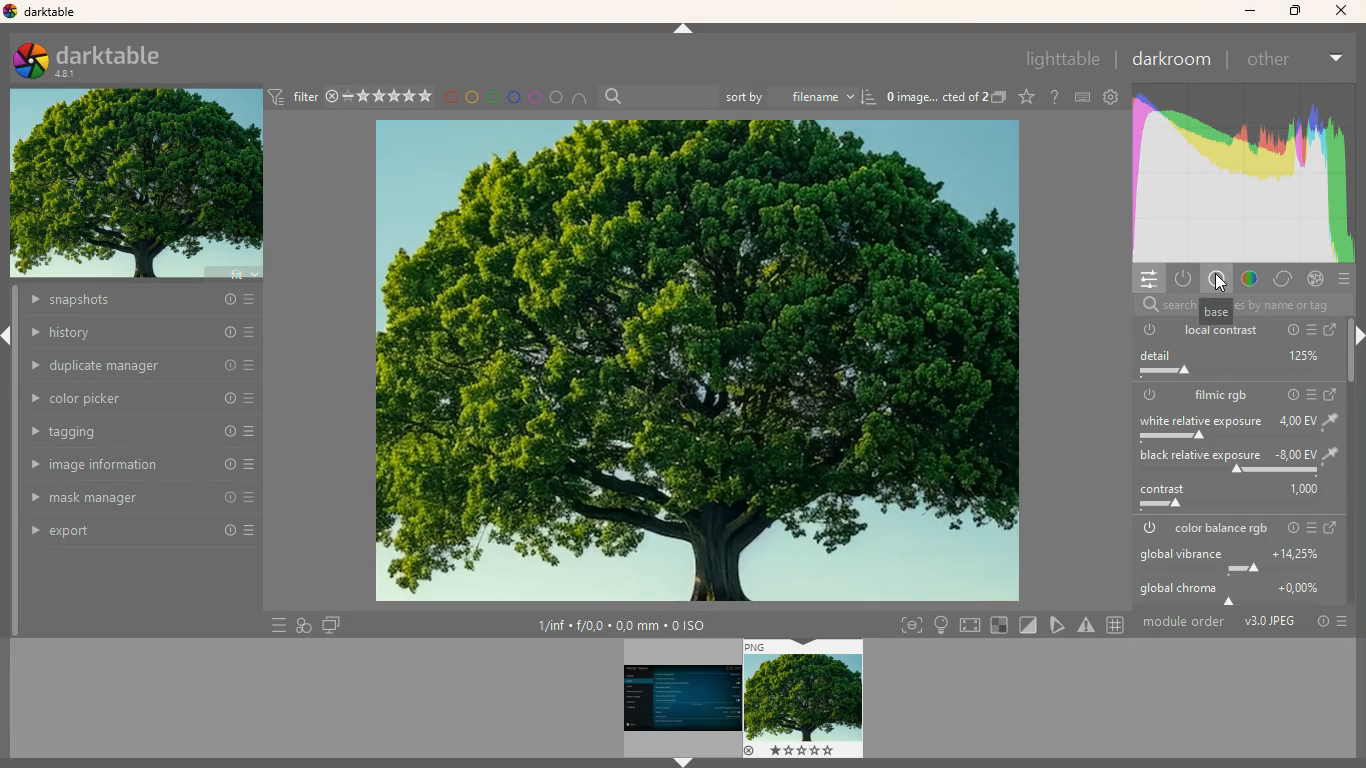 The height and width of the screenshot is (768, 1366). Describe the element at coordinates (137, 500) in the screenshot. I see `mask manager` at that location.